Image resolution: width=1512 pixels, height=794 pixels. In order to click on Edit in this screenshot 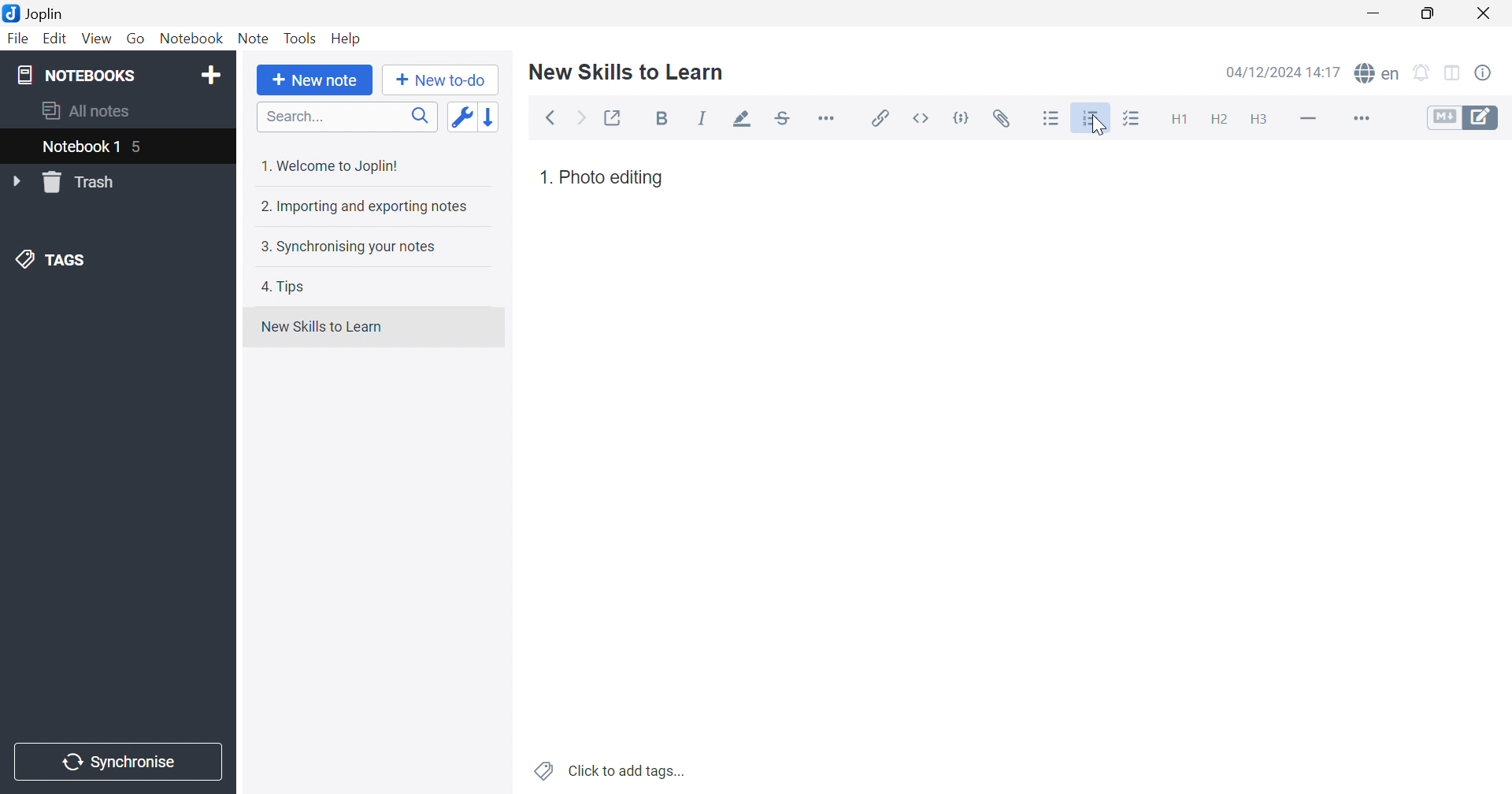, I will do `click(53, 39)`.